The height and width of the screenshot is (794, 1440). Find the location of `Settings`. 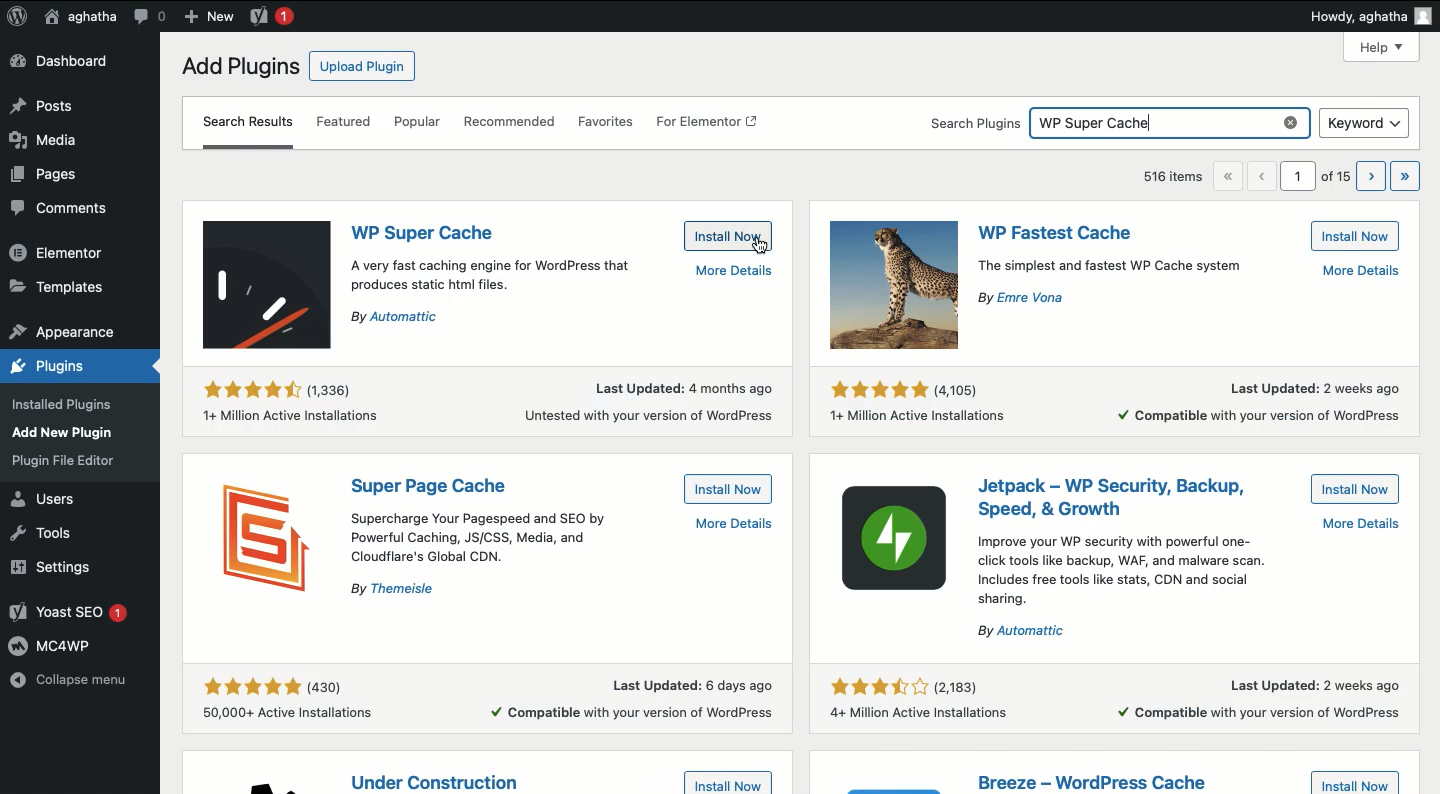

Settings is located at coordinates (60, 568).